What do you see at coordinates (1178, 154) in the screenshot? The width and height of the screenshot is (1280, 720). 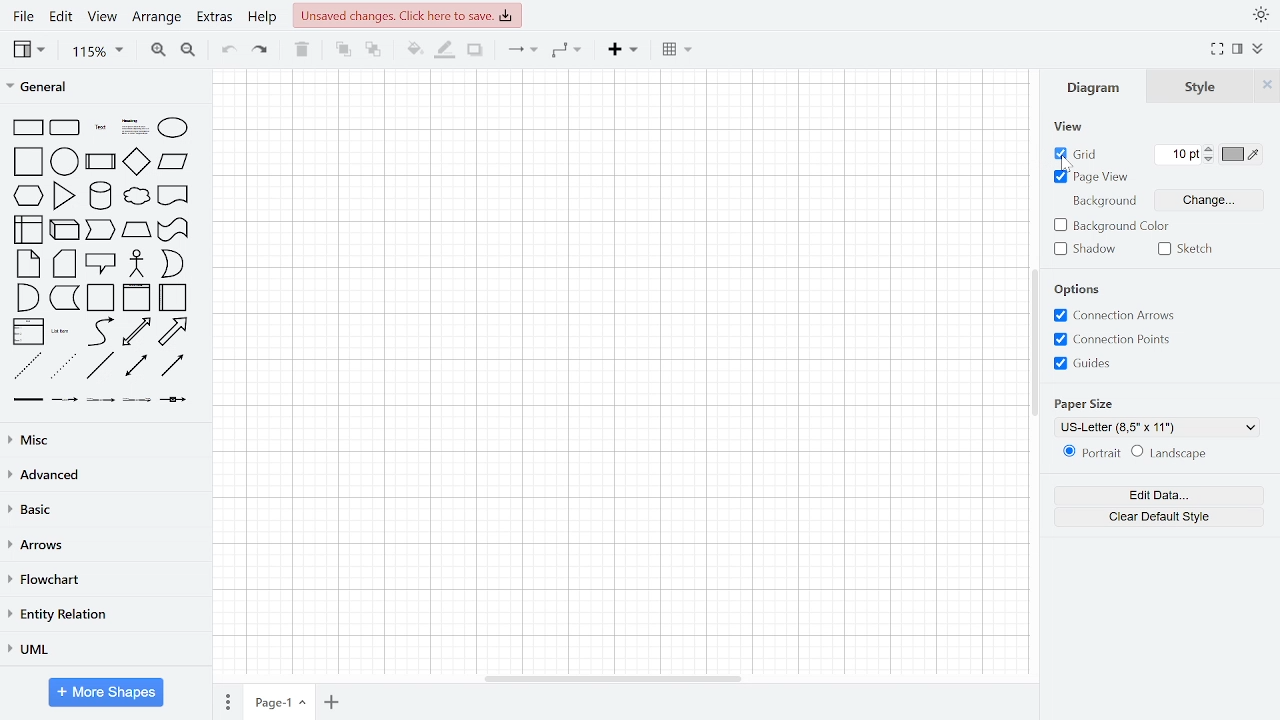 I see `10 pt` at bounding box center [1178, 154].